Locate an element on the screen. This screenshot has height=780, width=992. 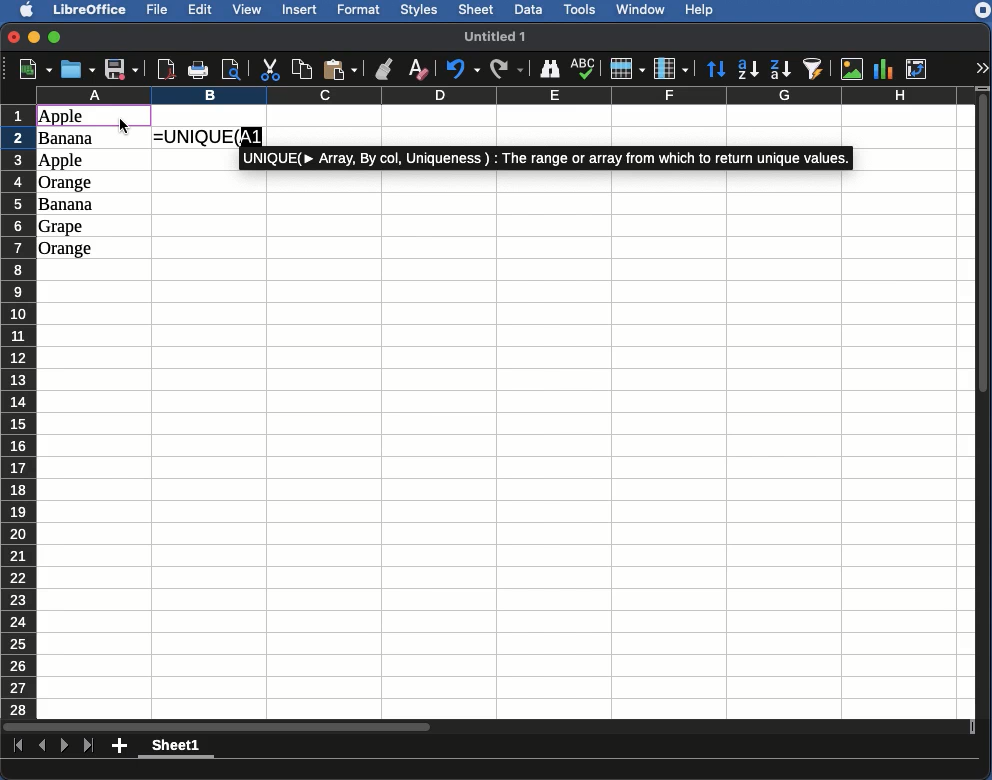
Print preview is located at coordinates (232, 69).